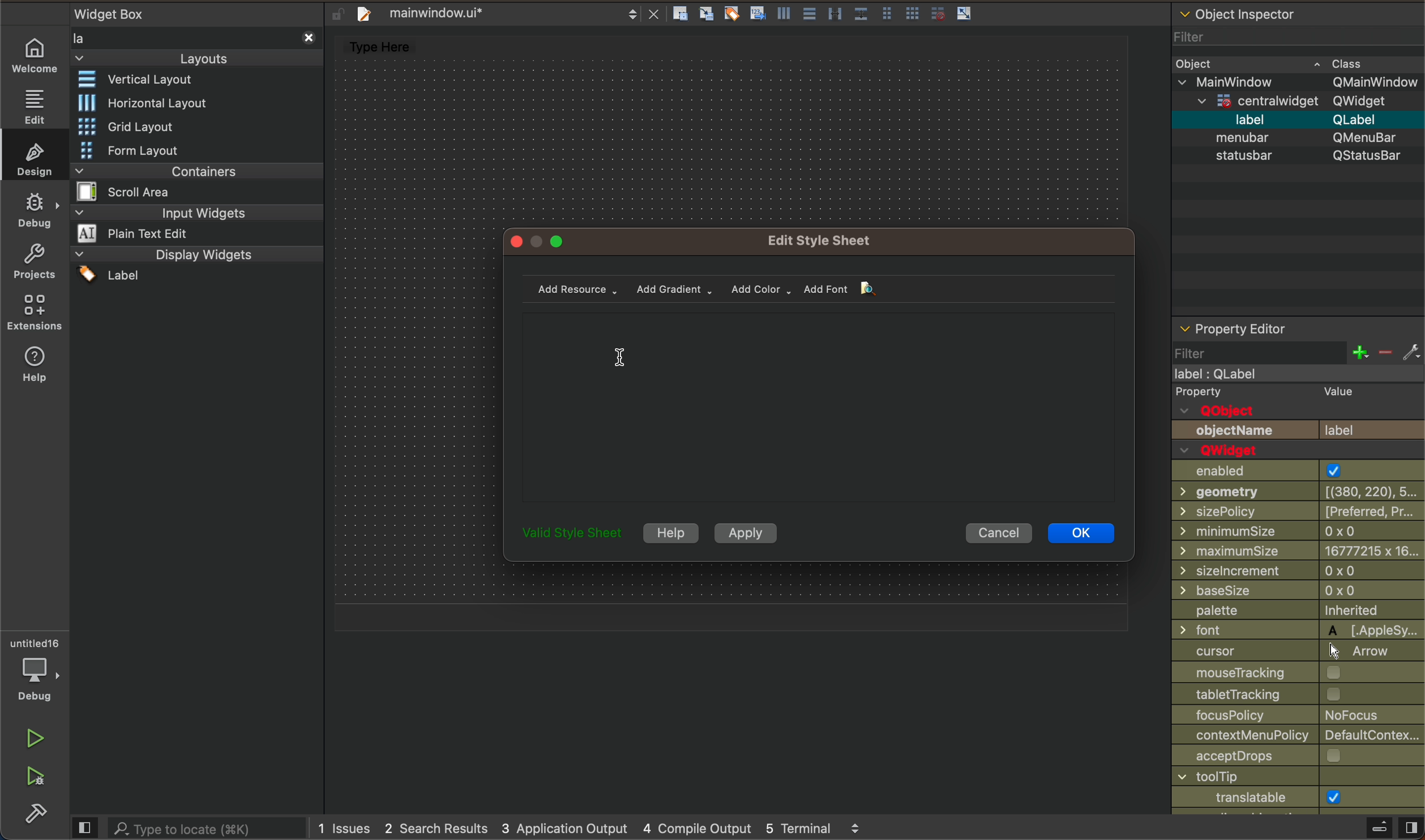  What do you see at coordinates (195, 212) in the screenshot?
I see `input widgets` at bounding box center [195, 212].